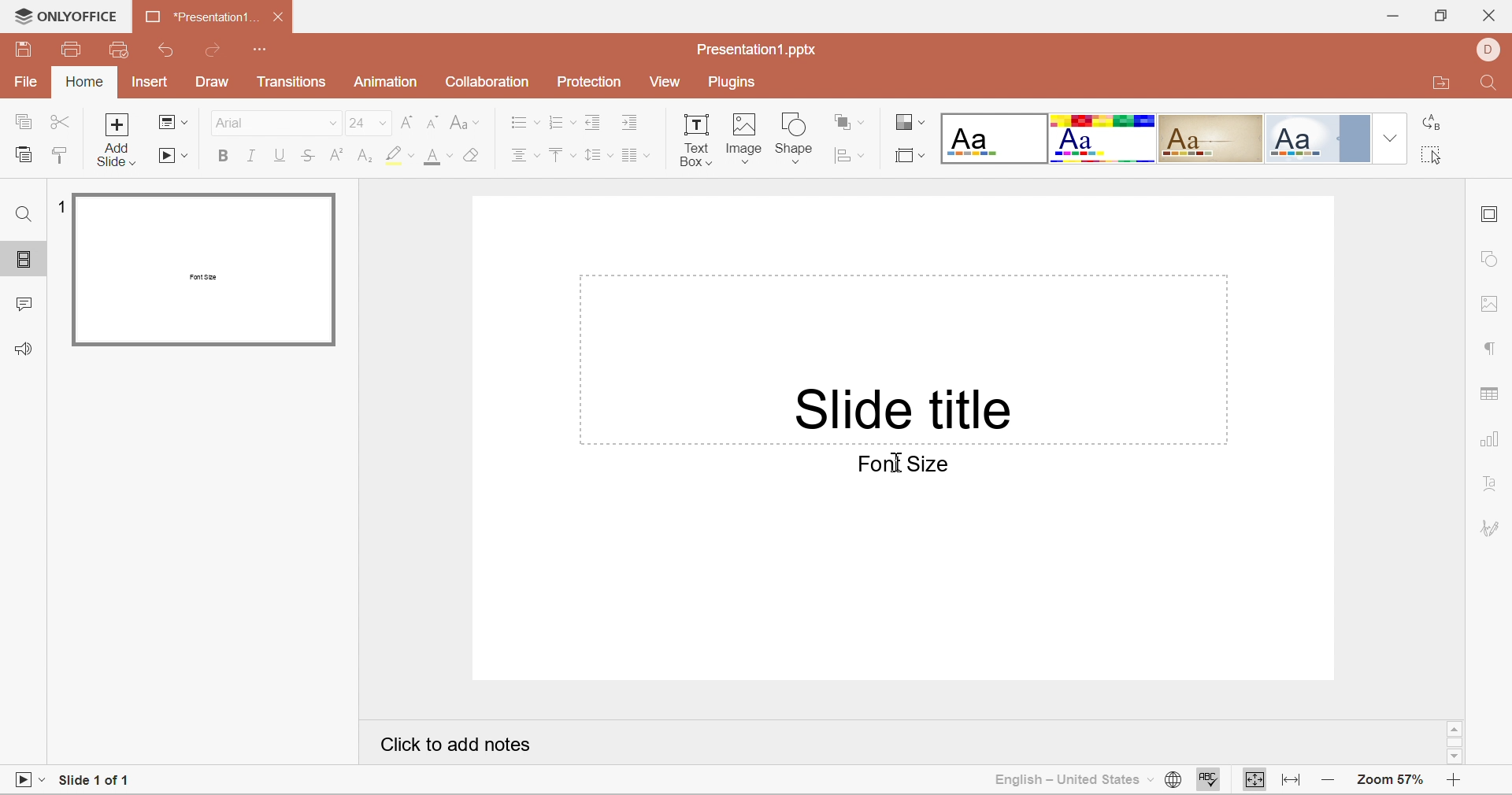 The width and height of the screenshot is (1512, 795). What do you see at coordinates (1492, 490) in the screenshot?
I see `Text Art settings` at bounding box center [1492, 490].